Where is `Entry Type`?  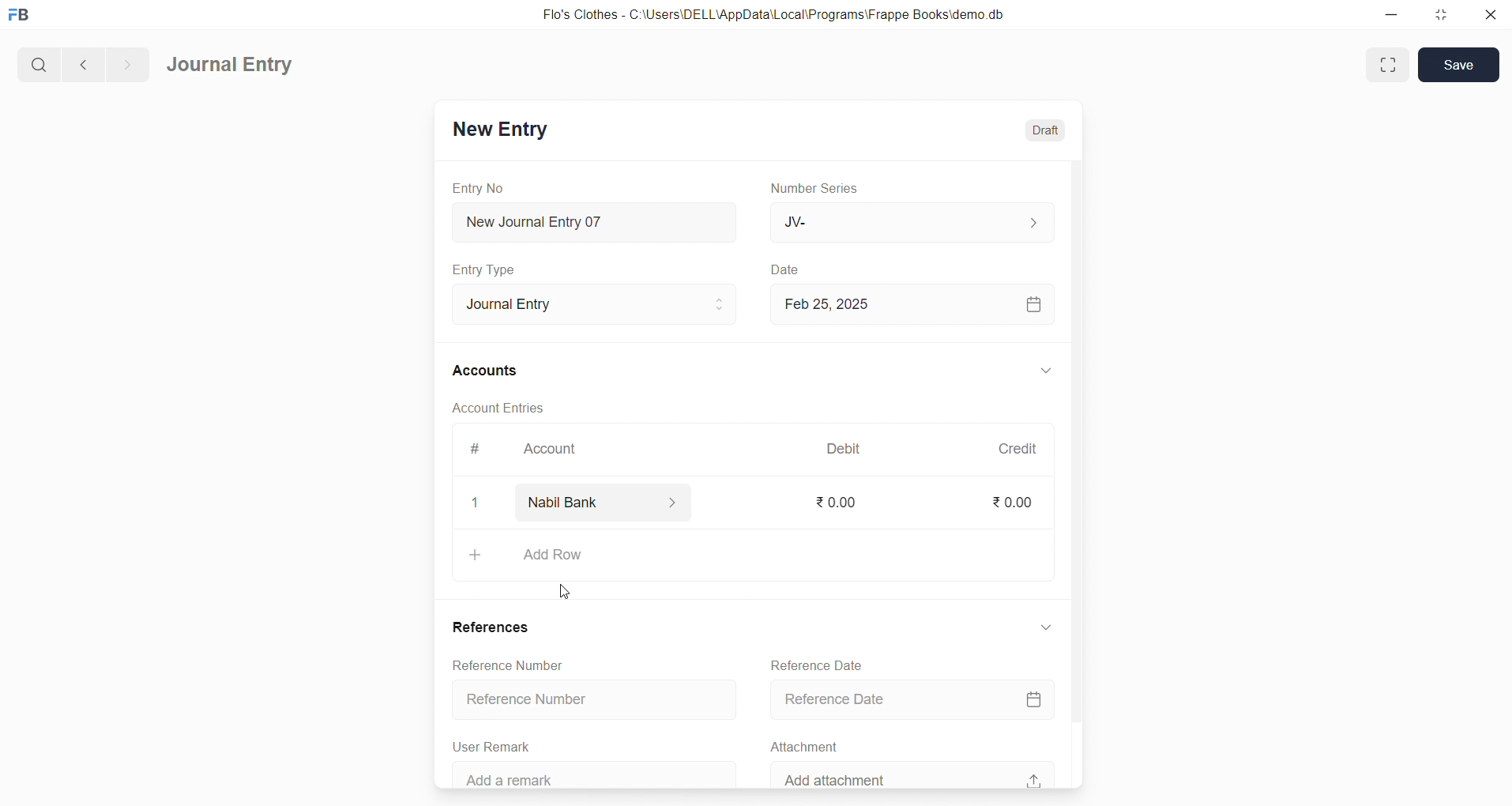 Entry Type is located at coordinates (485, 269).